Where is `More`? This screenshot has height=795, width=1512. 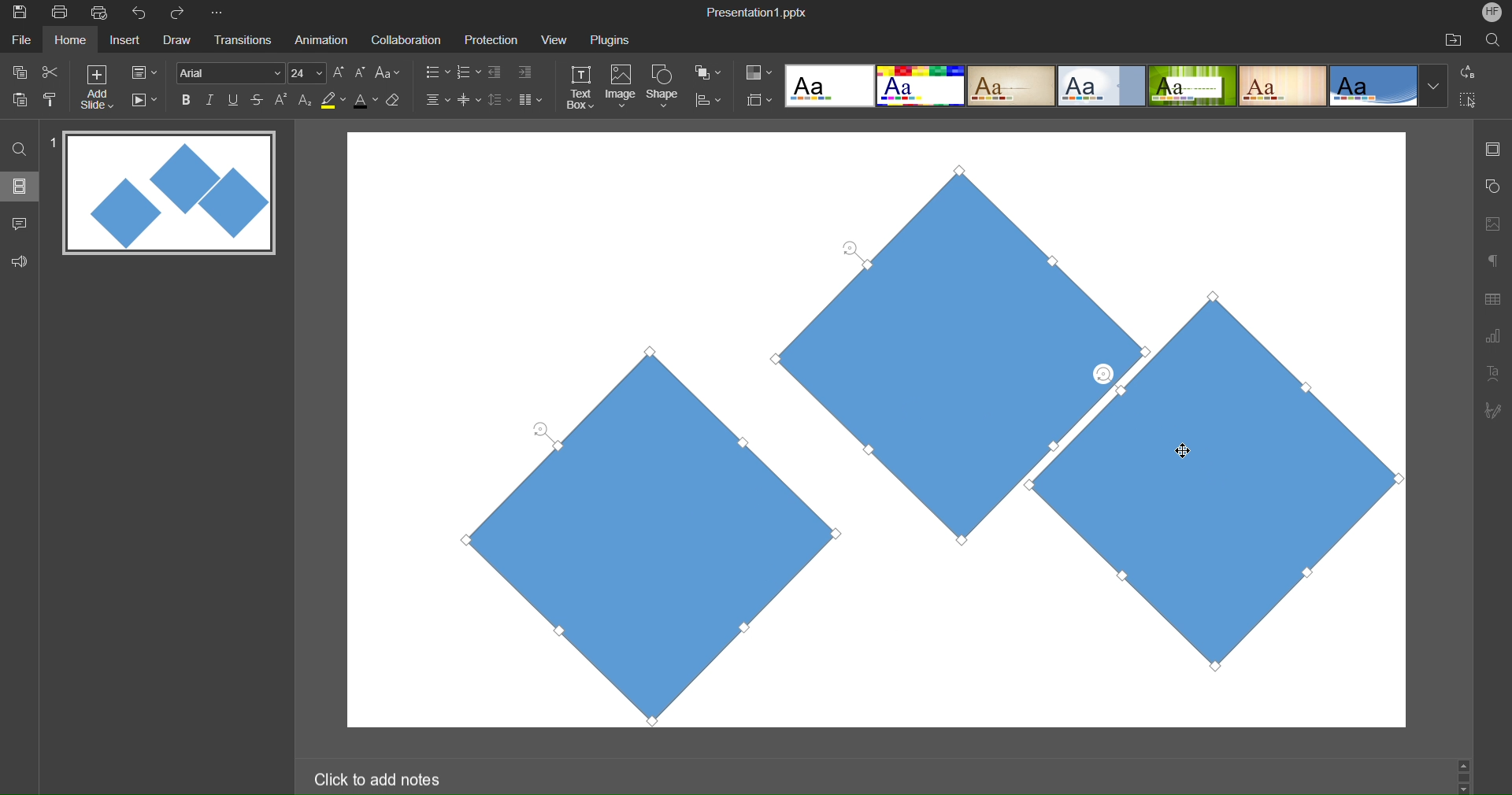
More is located at coordinates (220, 13).